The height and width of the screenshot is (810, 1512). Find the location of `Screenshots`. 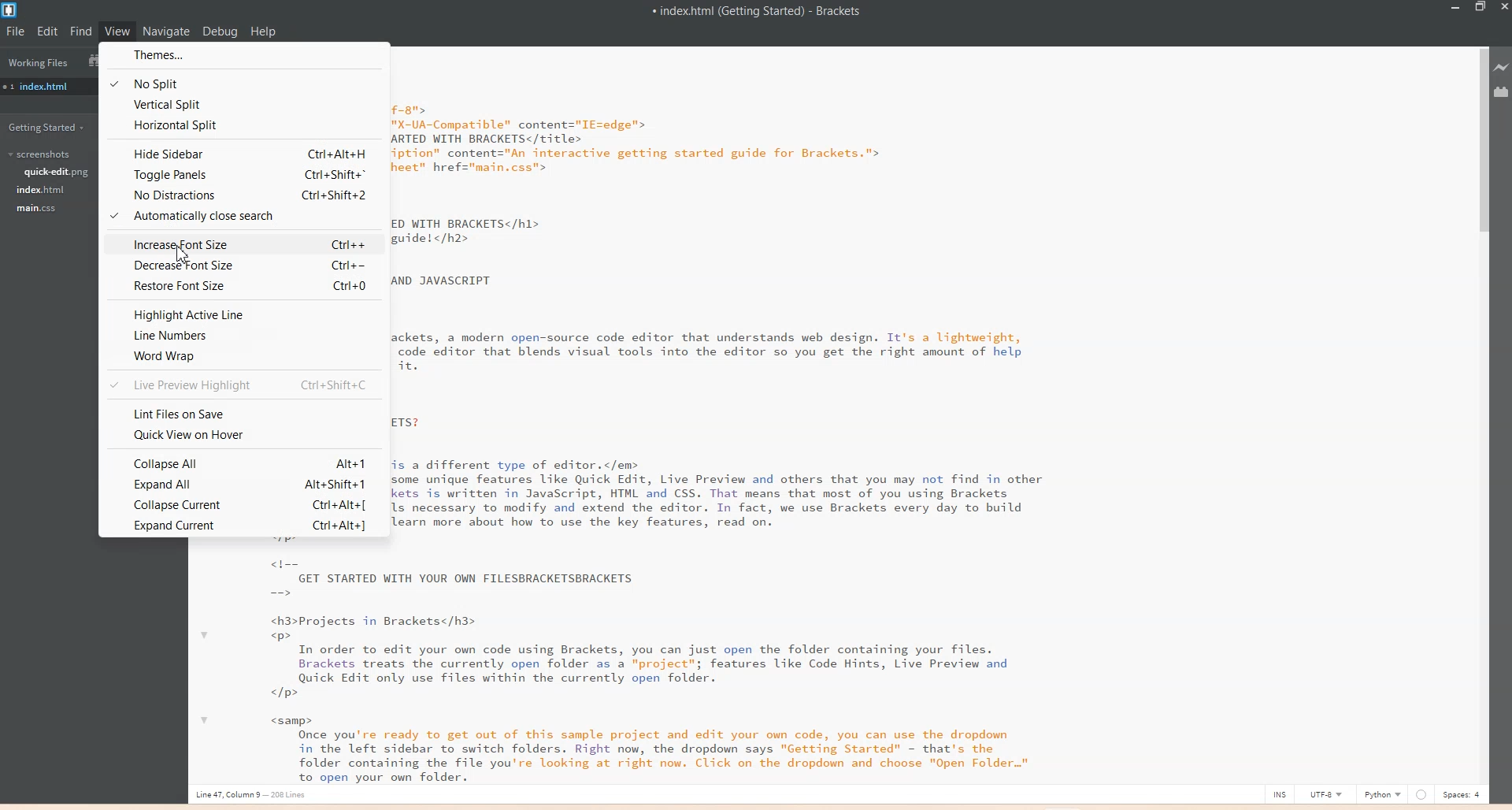

Screenshots is located at coordinates (40, 154).